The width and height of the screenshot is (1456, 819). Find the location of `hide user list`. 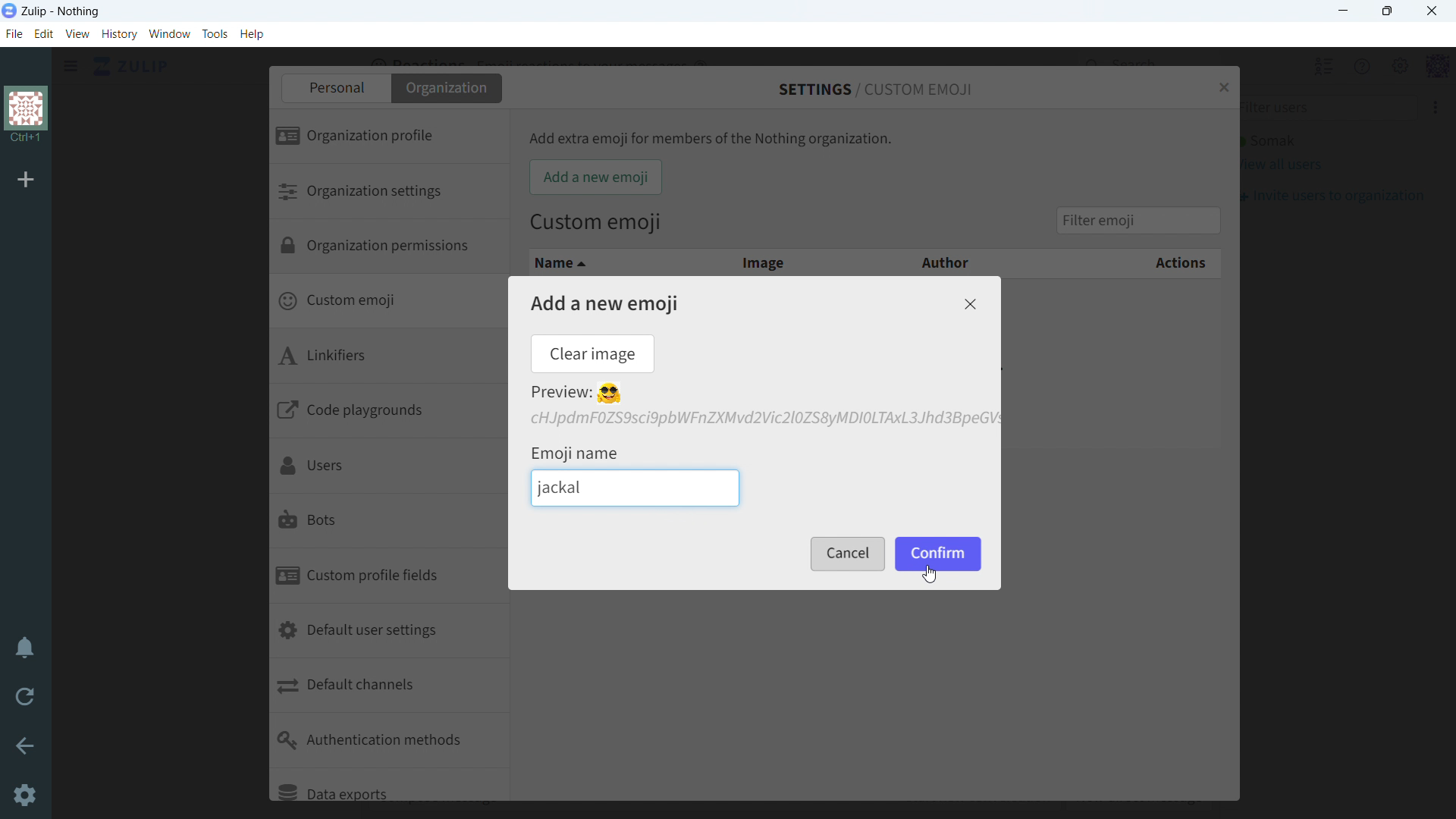

hide user list is located at coordinates (1307, 65).